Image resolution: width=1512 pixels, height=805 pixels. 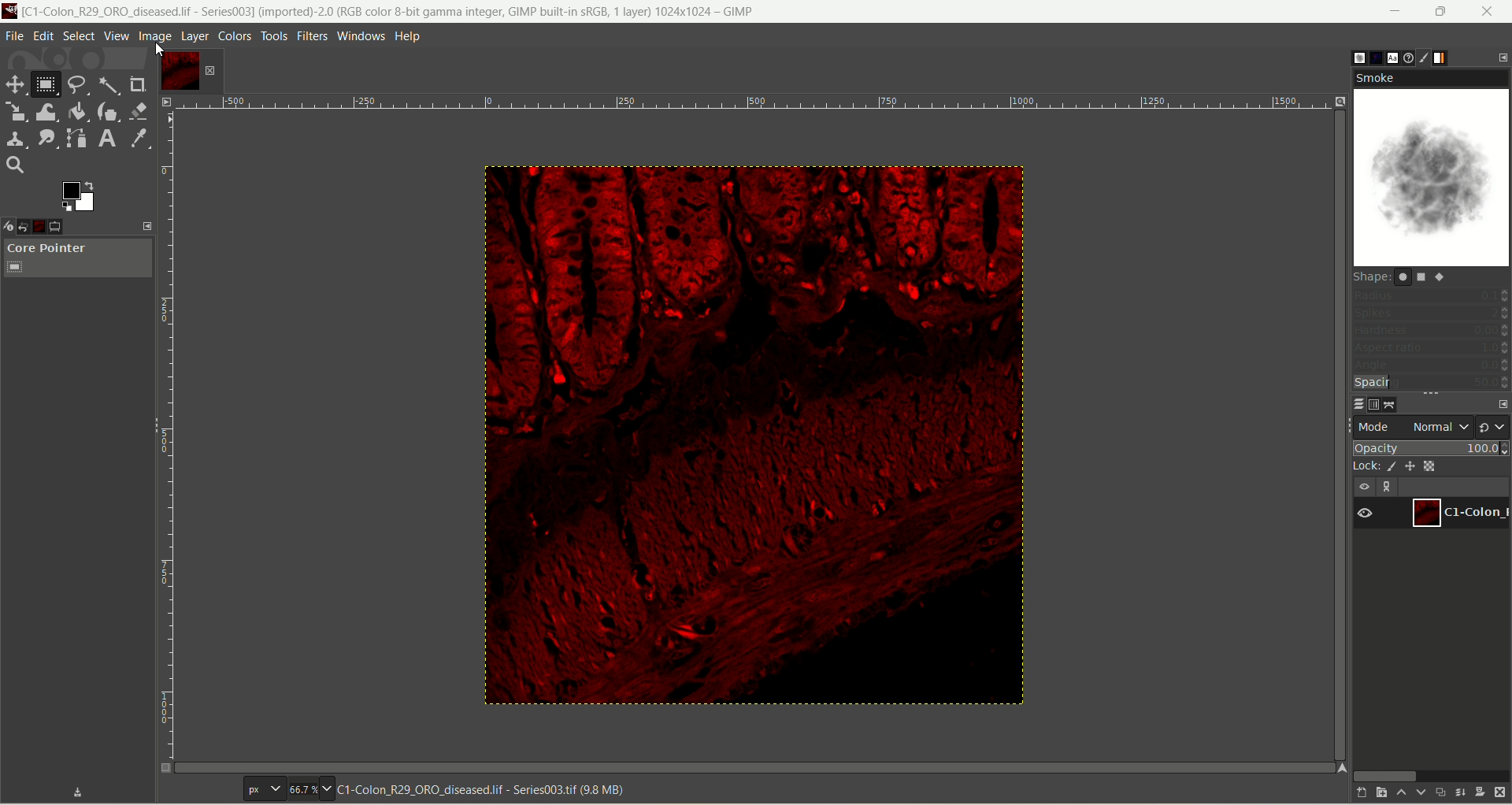 What do you see at coordinates (1377, 58) in the screenshot?
I see `pattern` at bounding box center [1377, 58].